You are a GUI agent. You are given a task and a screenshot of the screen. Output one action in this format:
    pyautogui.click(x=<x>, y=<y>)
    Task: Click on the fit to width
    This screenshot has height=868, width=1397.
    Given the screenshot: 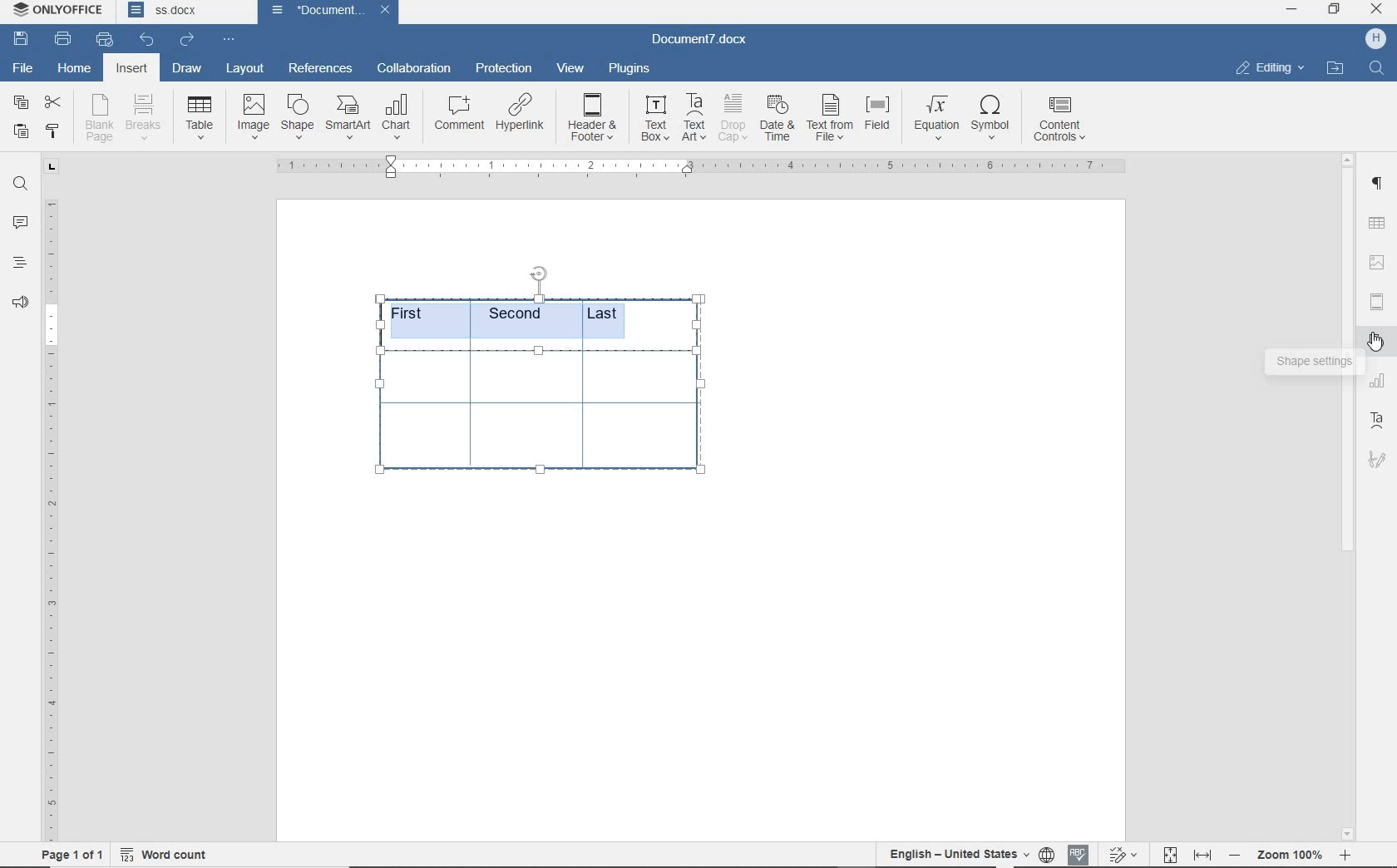 What is the action you would take?
    pyautogui.click(x=1202, y=852)
    